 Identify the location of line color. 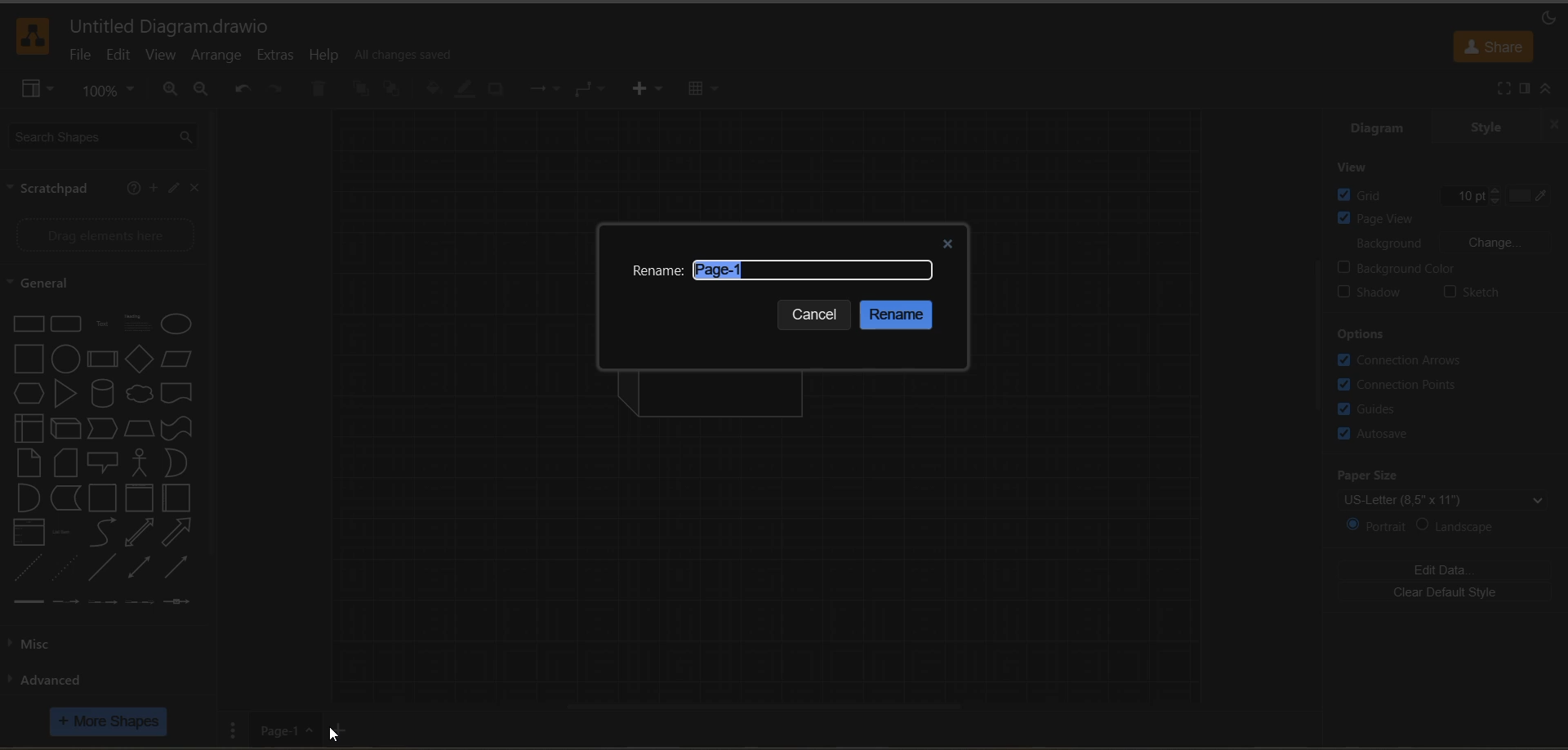
(469, 90).